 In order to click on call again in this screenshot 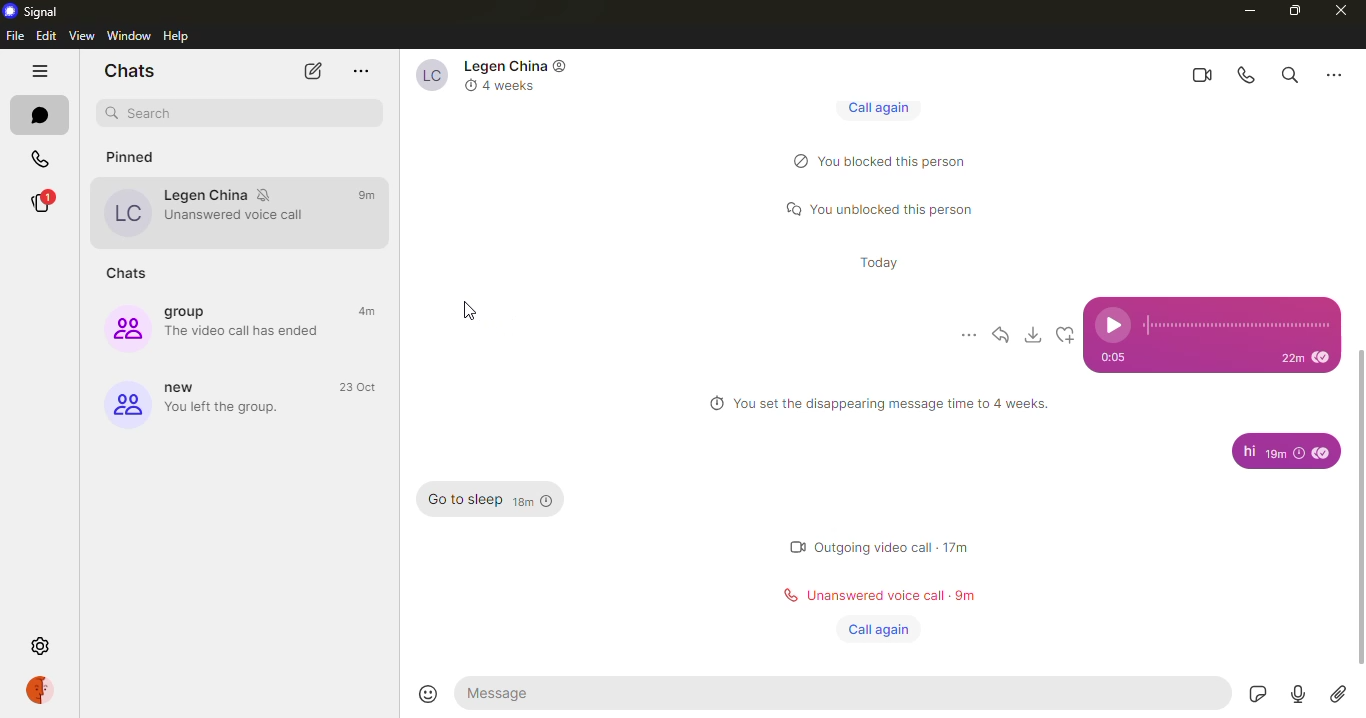, I will do `click(873, 107)`.